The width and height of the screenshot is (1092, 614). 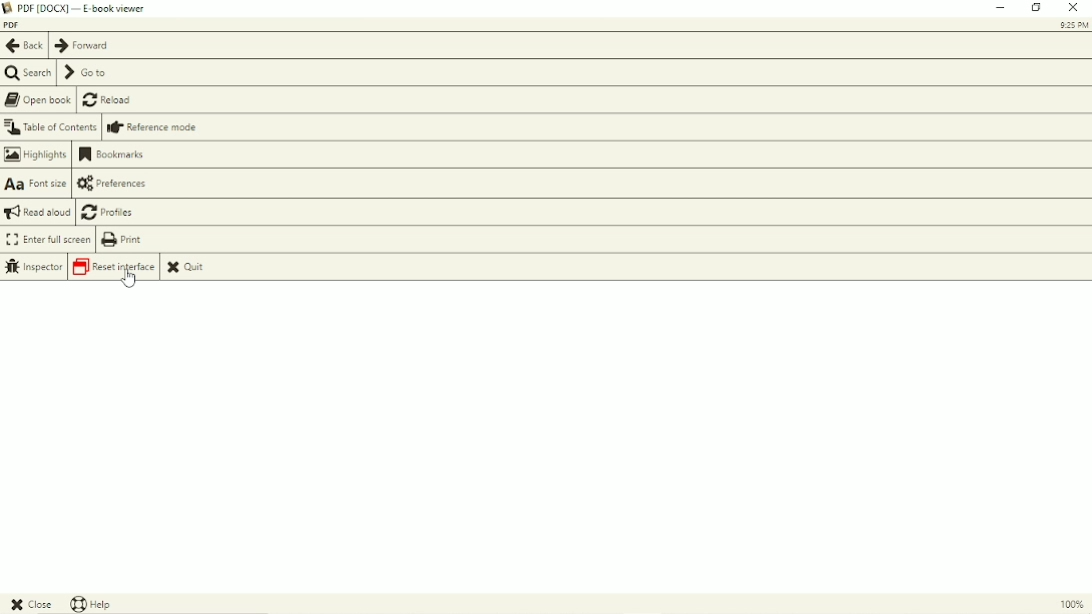 What do you see at coordinates (37, 212) in the screenshot?
I see `Read aloud` at bounding box center [37, 212].